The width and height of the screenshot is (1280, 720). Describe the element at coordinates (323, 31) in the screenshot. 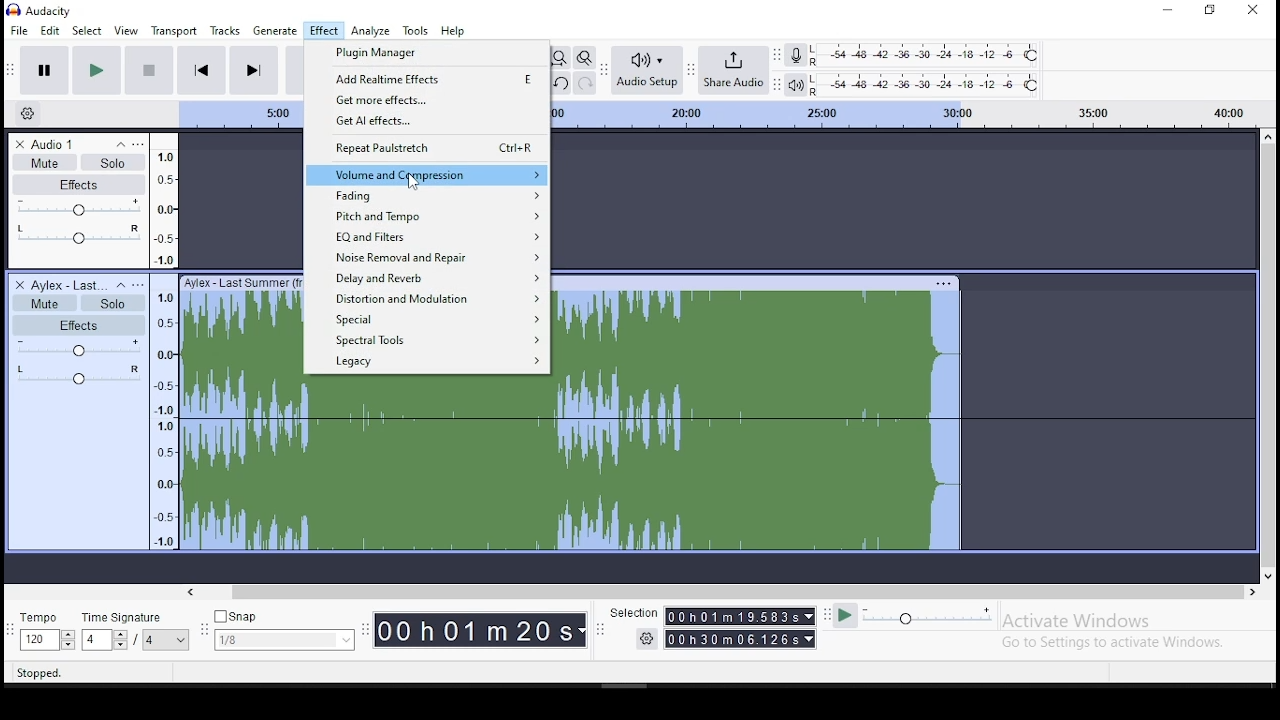

I see `effect` at that location.